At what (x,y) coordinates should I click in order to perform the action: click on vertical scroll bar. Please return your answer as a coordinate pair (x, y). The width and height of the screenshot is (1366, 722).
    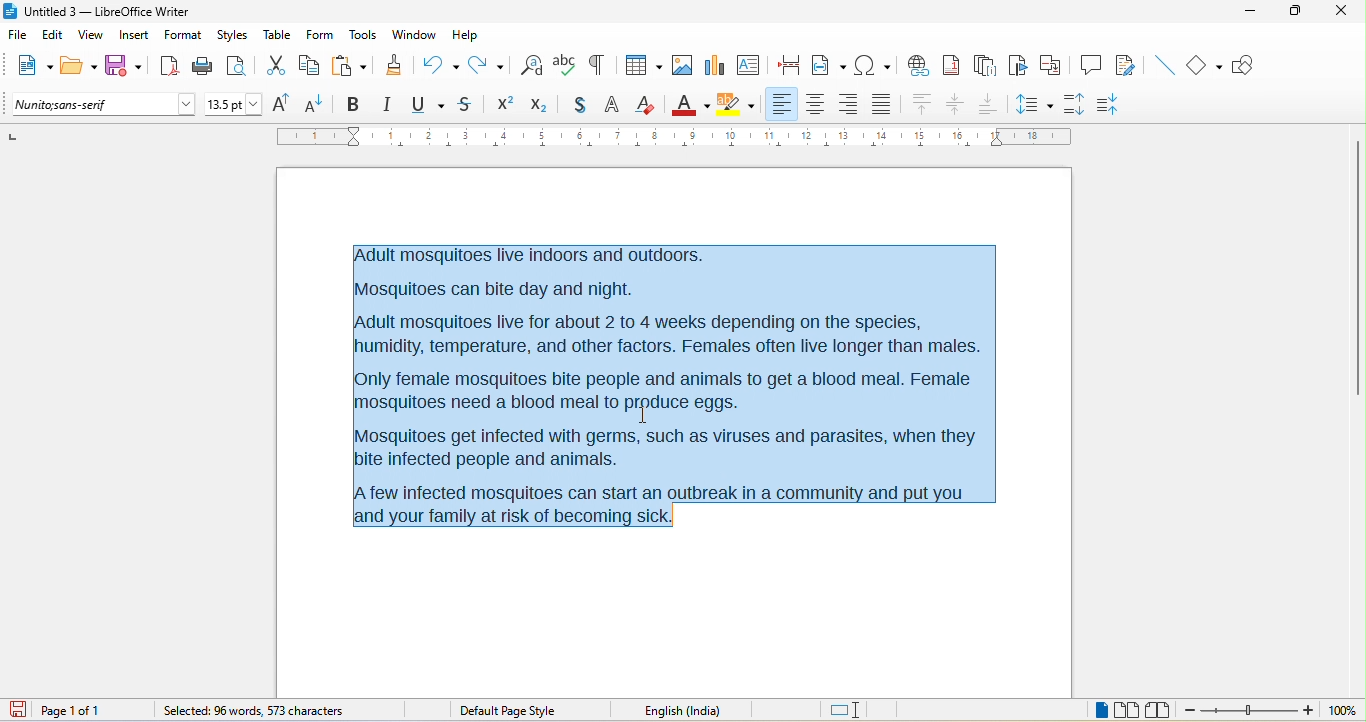
    Looking at the image, I should click on (1357, 266).